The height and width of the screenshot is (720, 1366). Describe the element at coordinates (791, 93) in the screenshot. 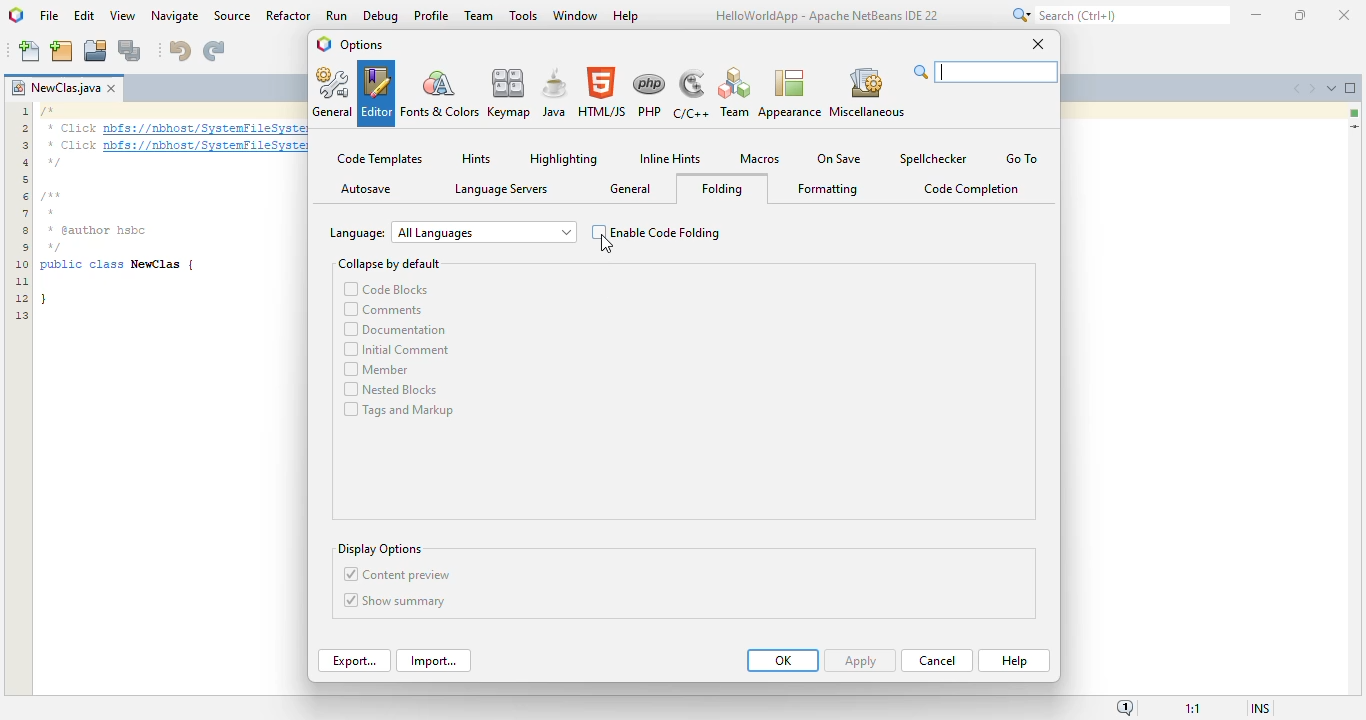

I see `appearance` at that location.